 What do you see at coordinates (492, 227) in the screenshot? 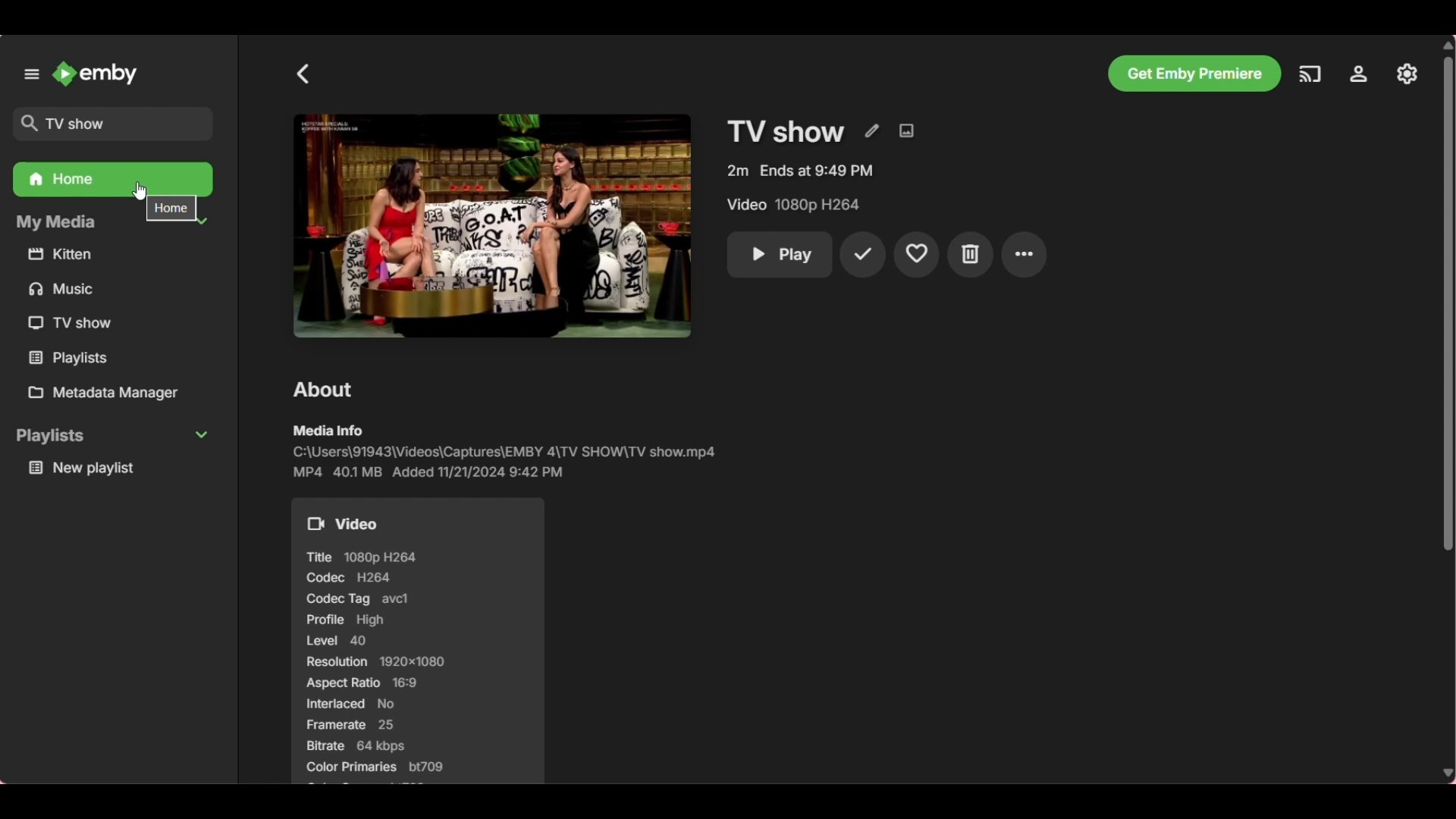
I see `Preview of TV show` at bounding box center [492, 227].